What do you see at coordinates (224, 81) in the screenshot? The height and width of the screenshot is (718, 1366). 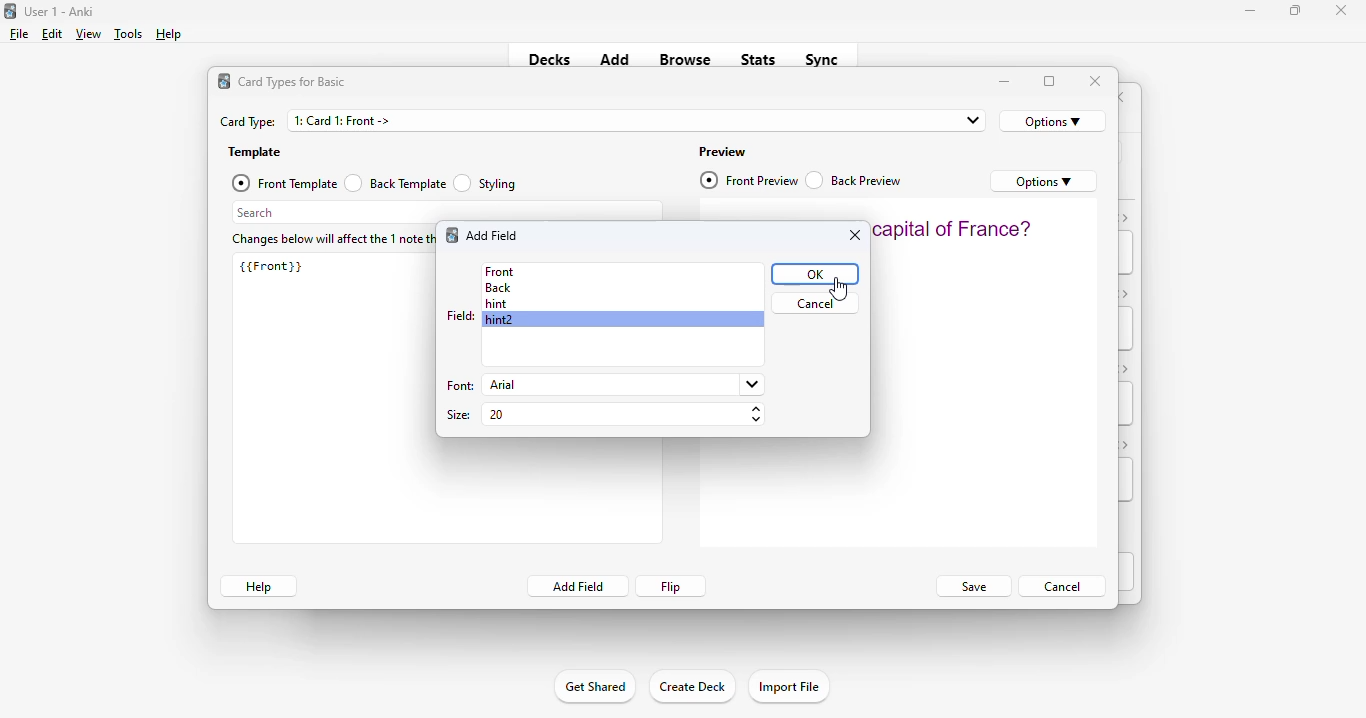 I see `logo` at bounding box center [224, 81].